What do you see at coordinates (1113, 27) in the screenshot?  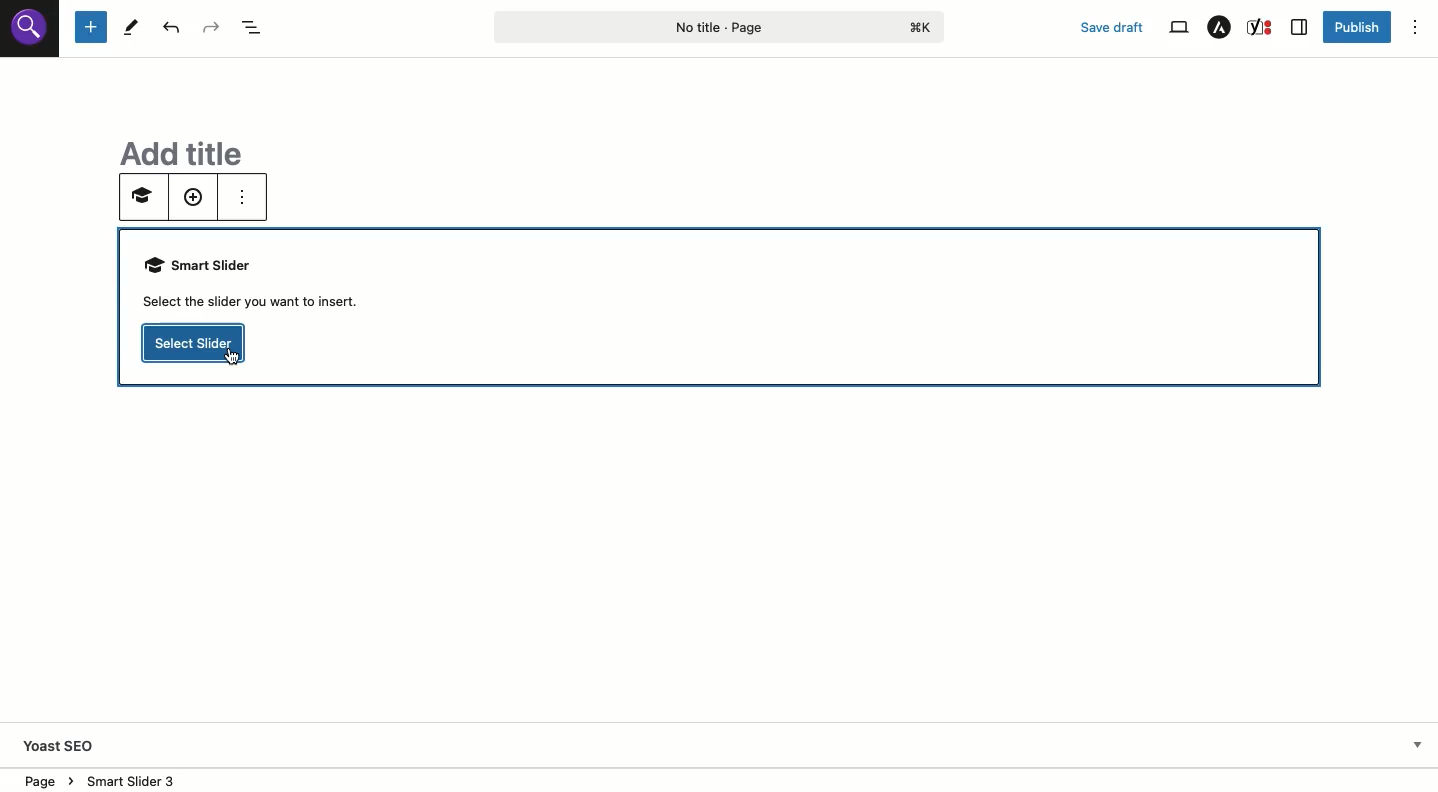 I see `Save draft` at bounding box center [1113, 27].